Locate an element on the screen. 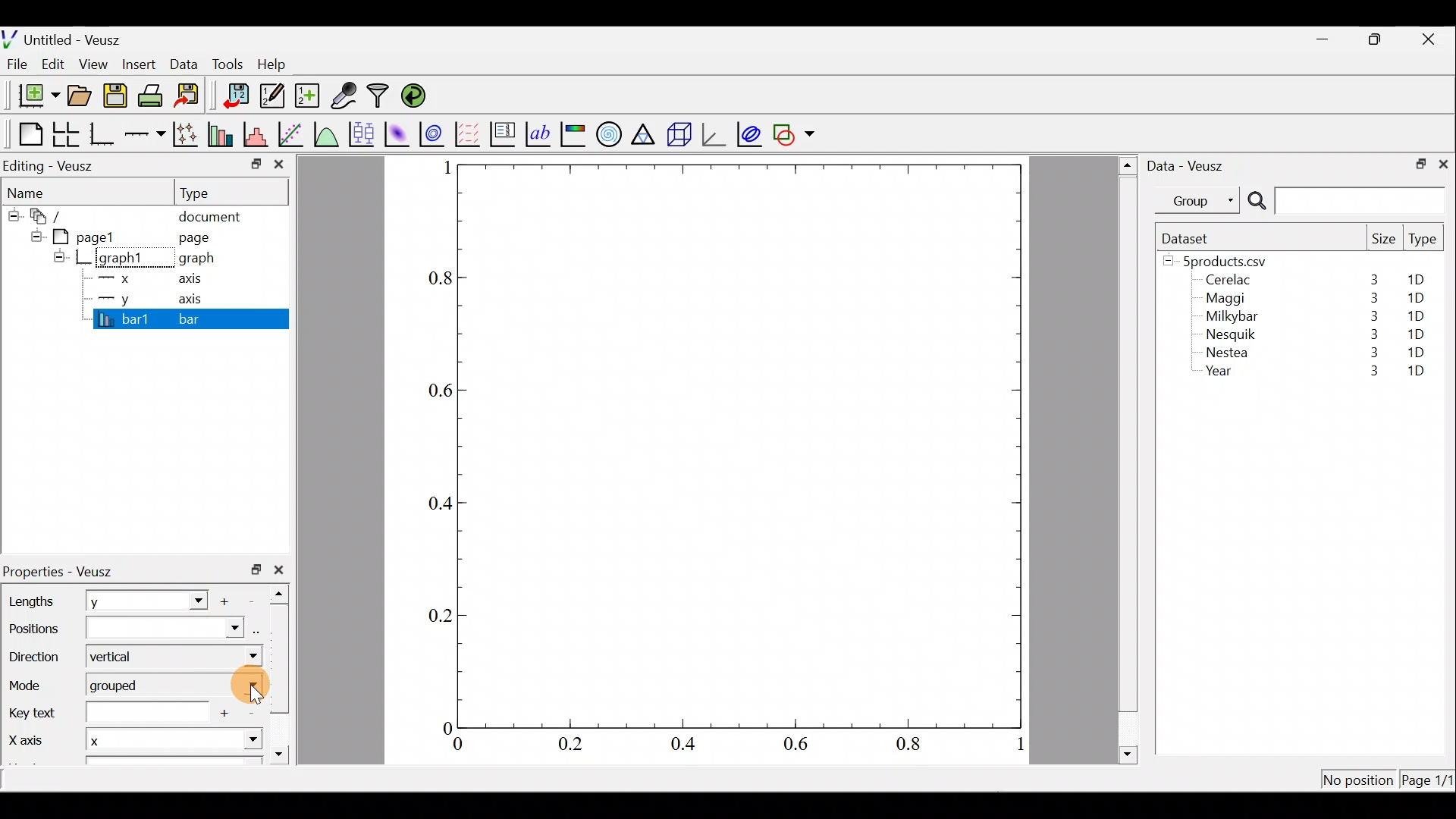 This screenshot has height=819, width=1456. Lengths is located at coordinates (32, 601).